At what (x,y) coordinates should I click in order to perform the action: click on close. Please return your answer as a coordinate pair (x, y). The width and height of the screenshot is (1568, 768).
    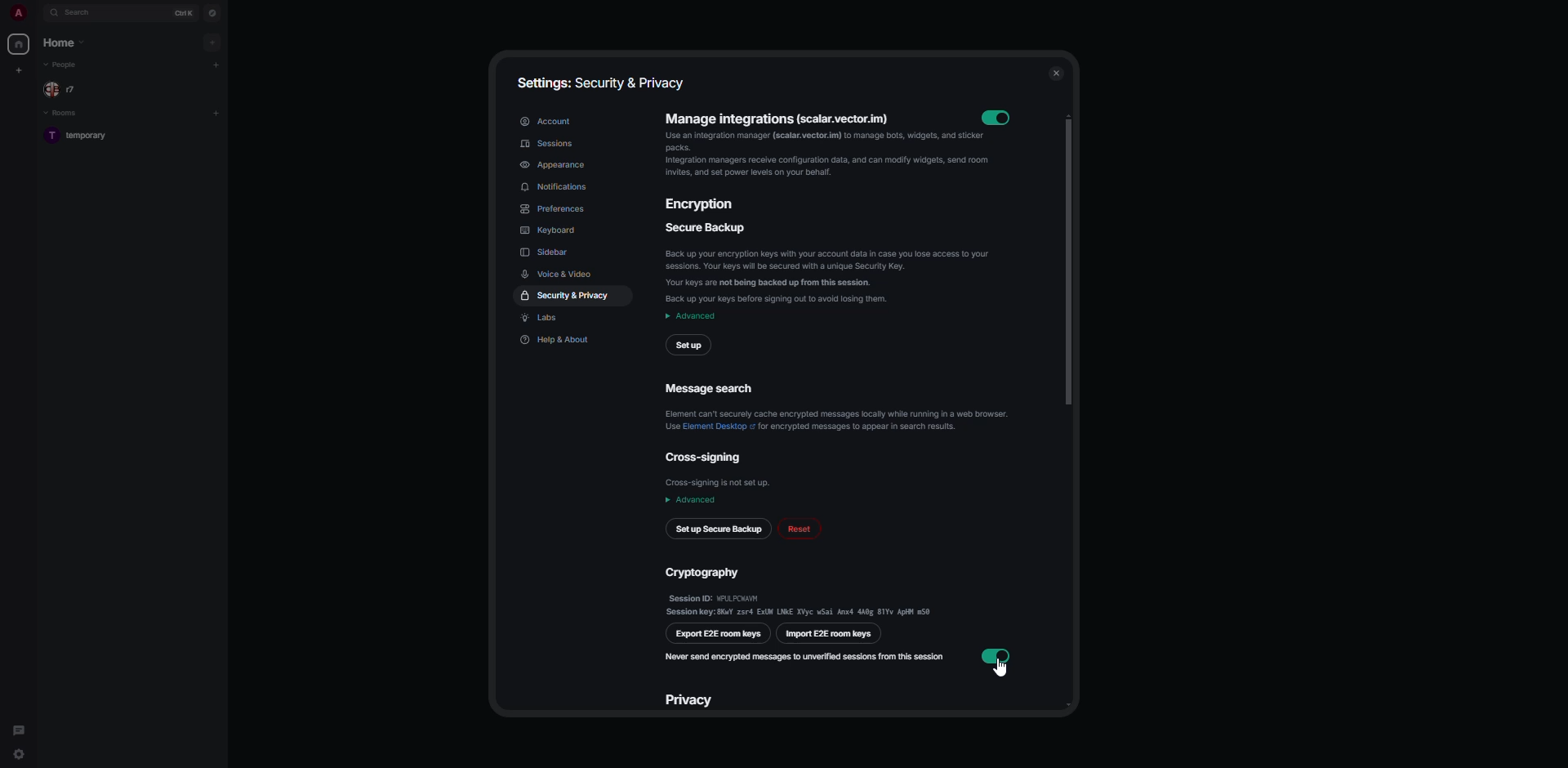
    Looking at the image, I should click on (1056, 73).